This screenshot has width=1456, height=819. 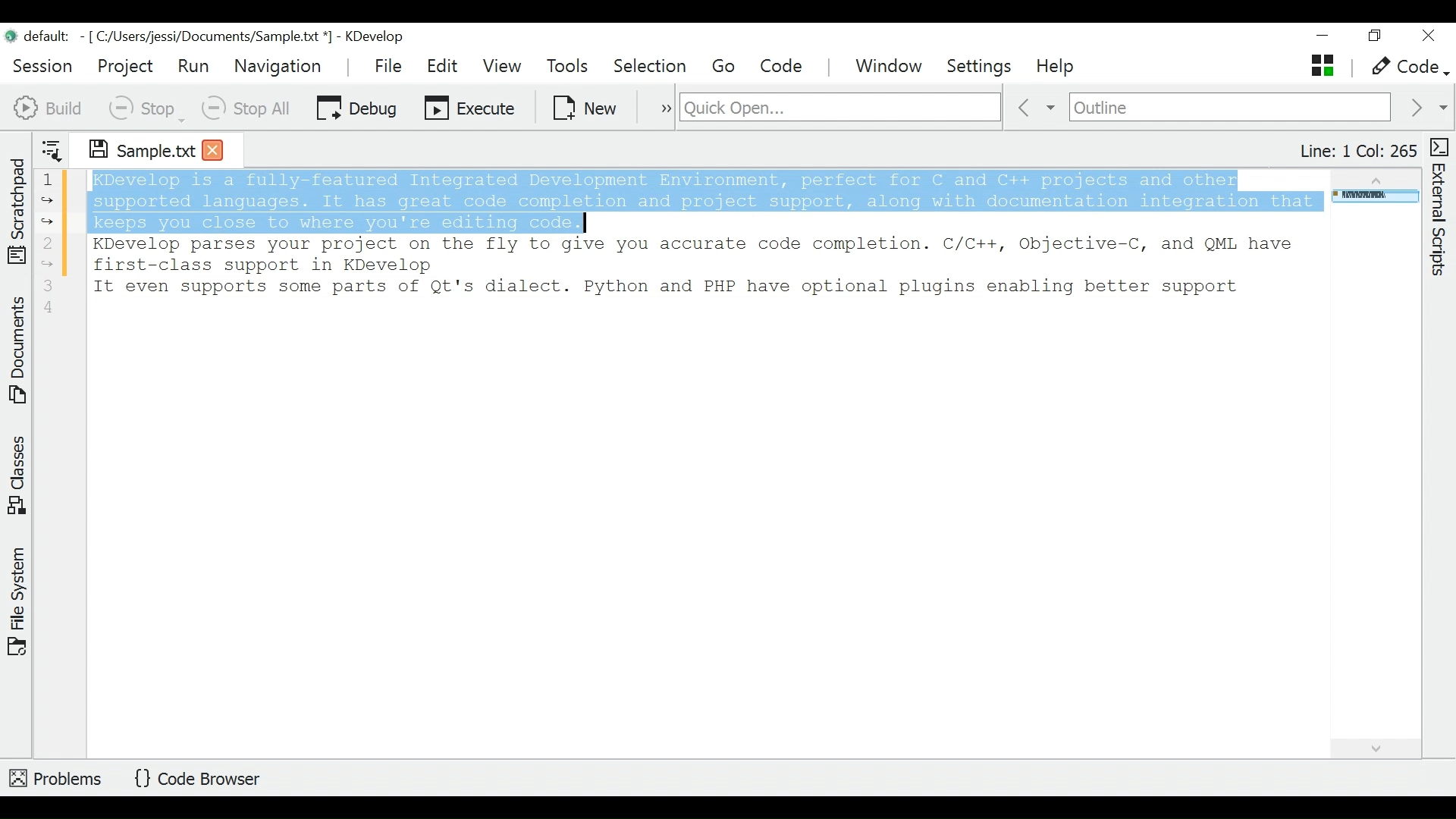 I want to click on Tools, so click(x=572, y=67).